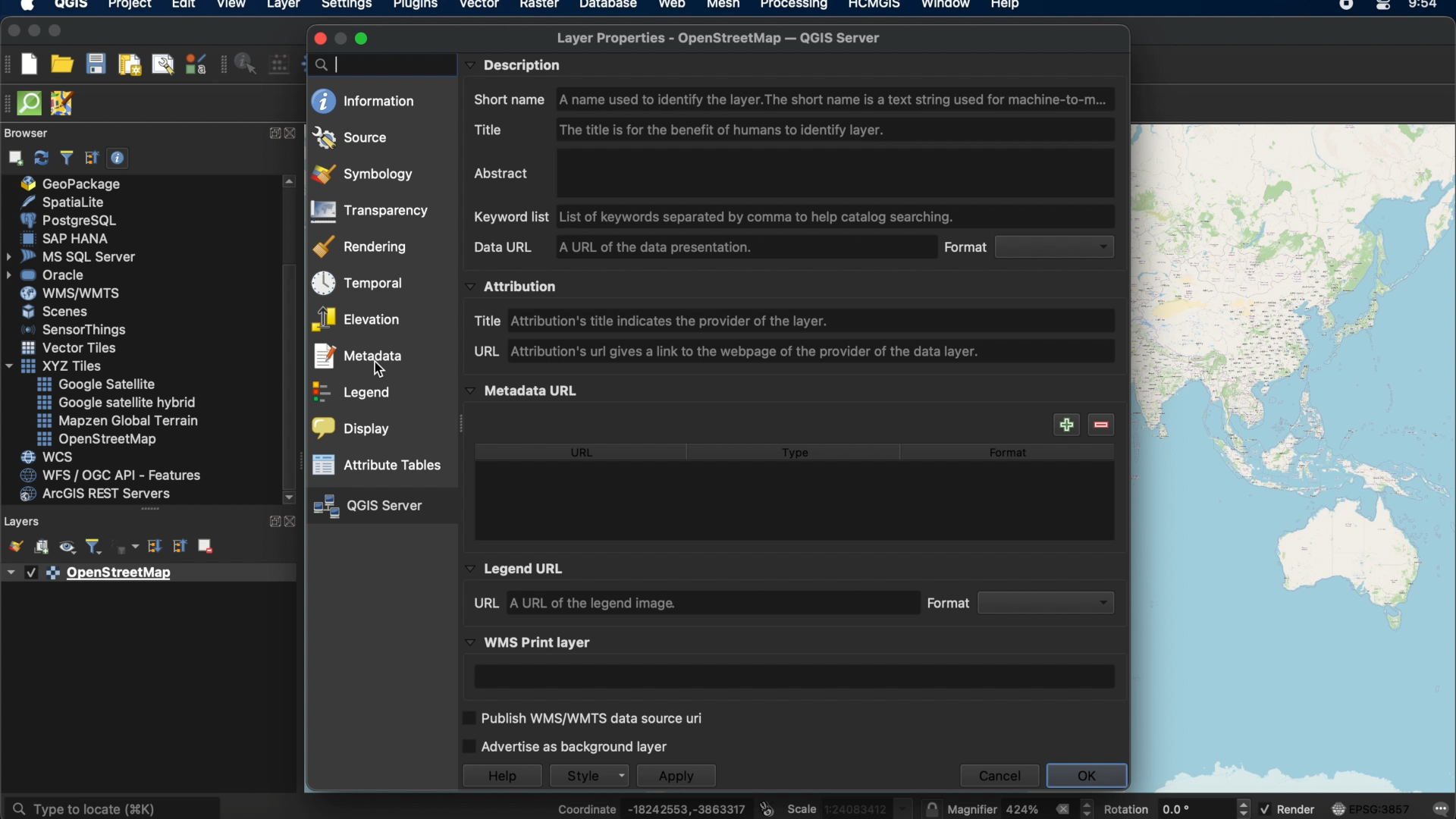 This screenshot has width=1456, height=819. I want to click on add group, so click(41, 548).